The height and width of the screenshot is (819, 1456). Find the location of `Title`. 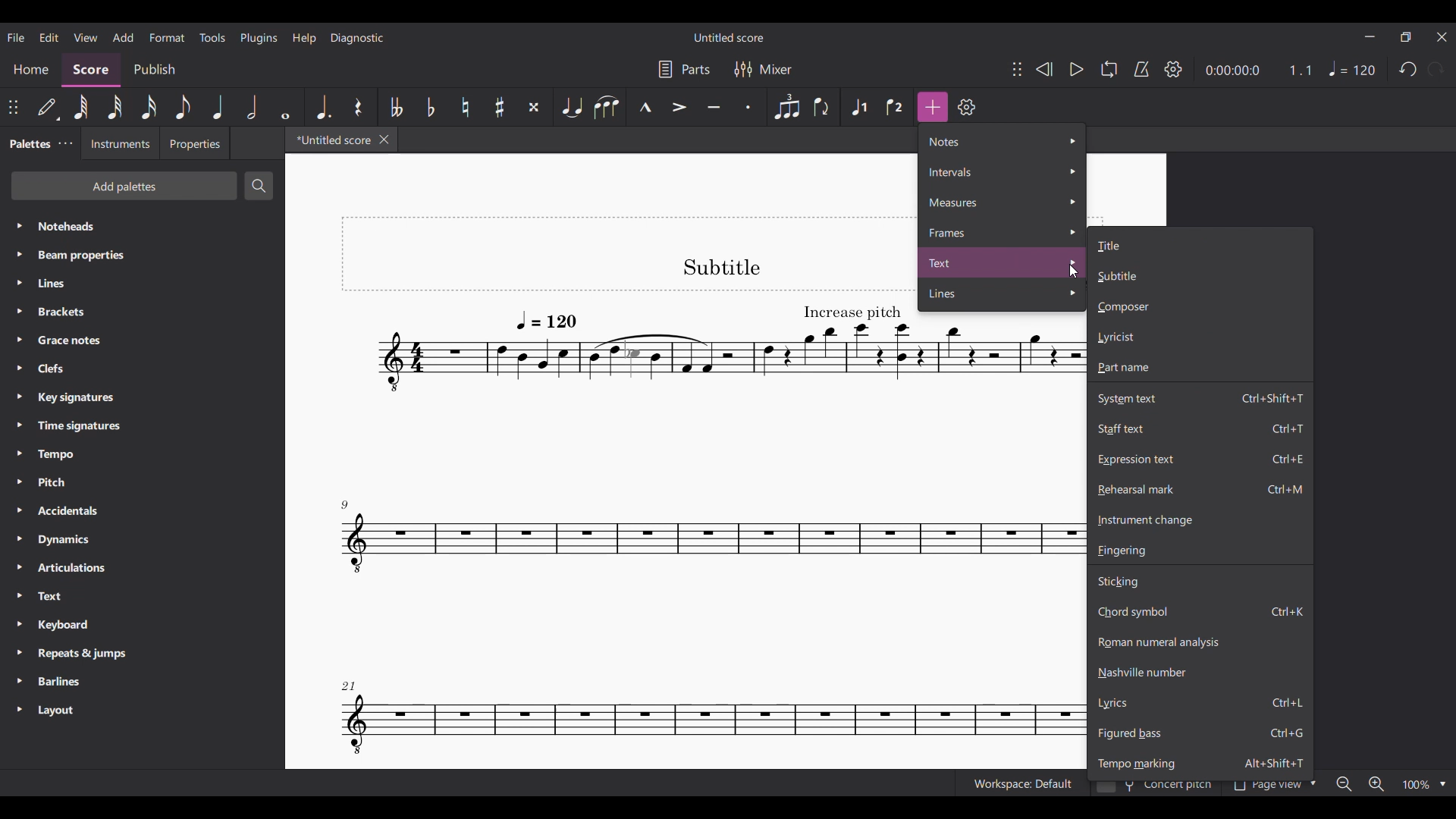

Title is located at coordinates (1200, 244).